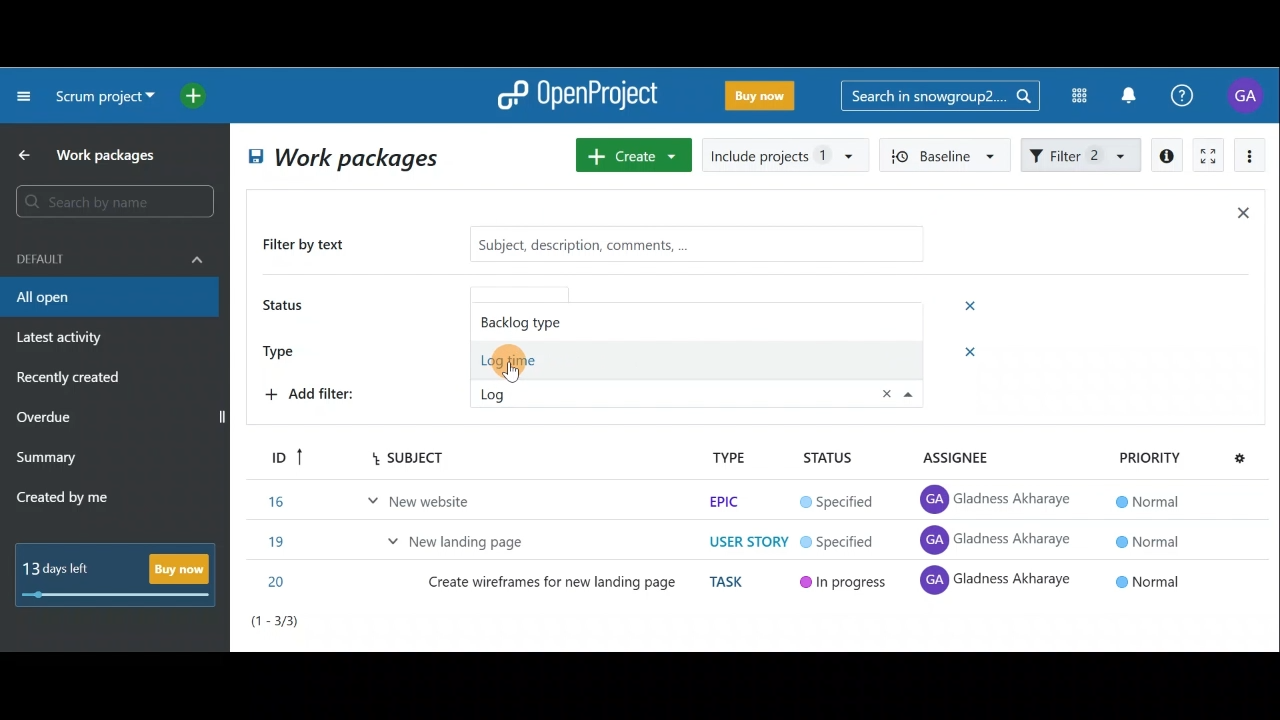  What do you see at coordinates (62, 340) in the screenshot?
I see `Latest activity` at bounding box center [62, 340].